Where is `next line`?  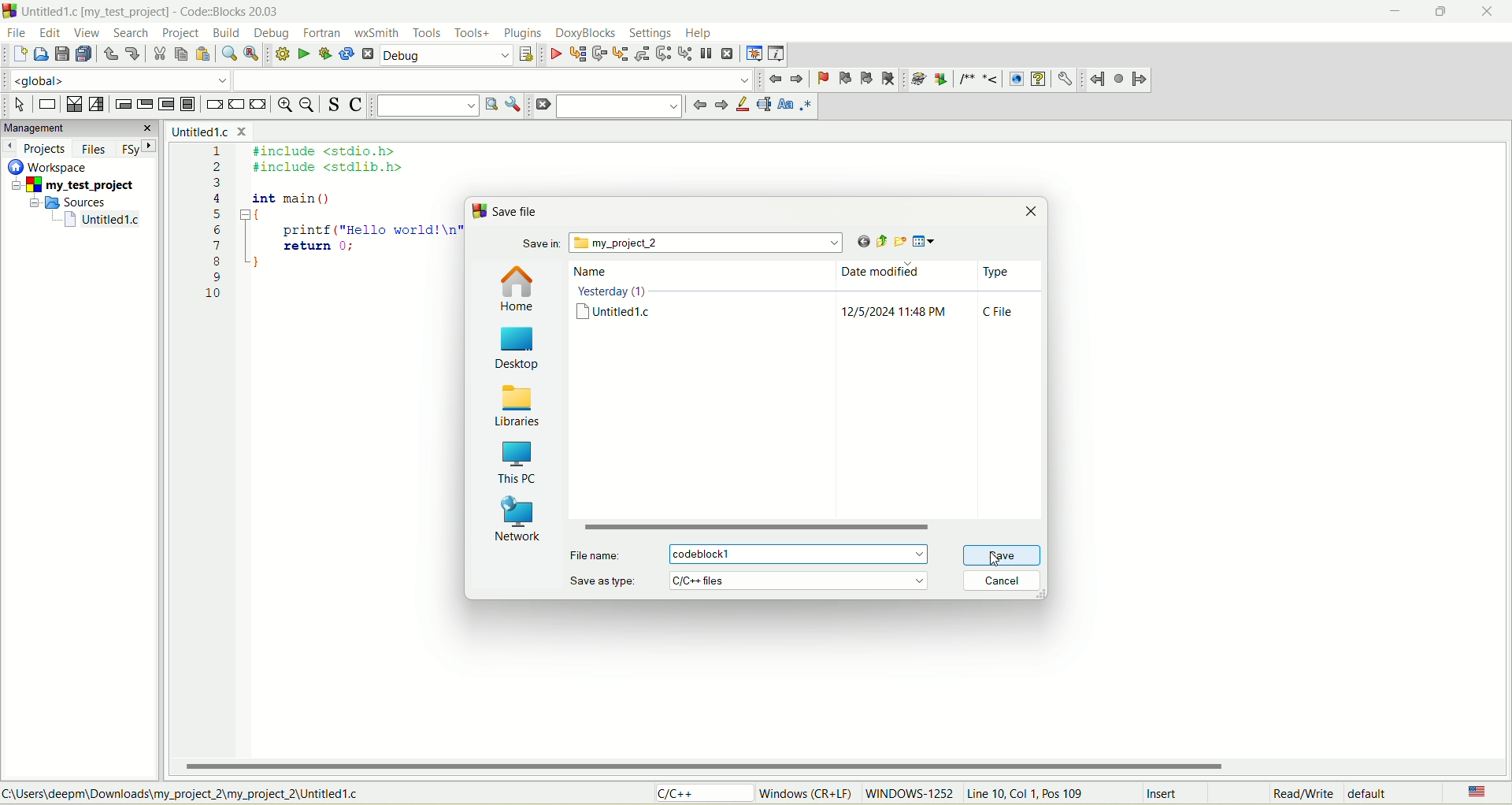
next line is located at coordinates (598, 54).